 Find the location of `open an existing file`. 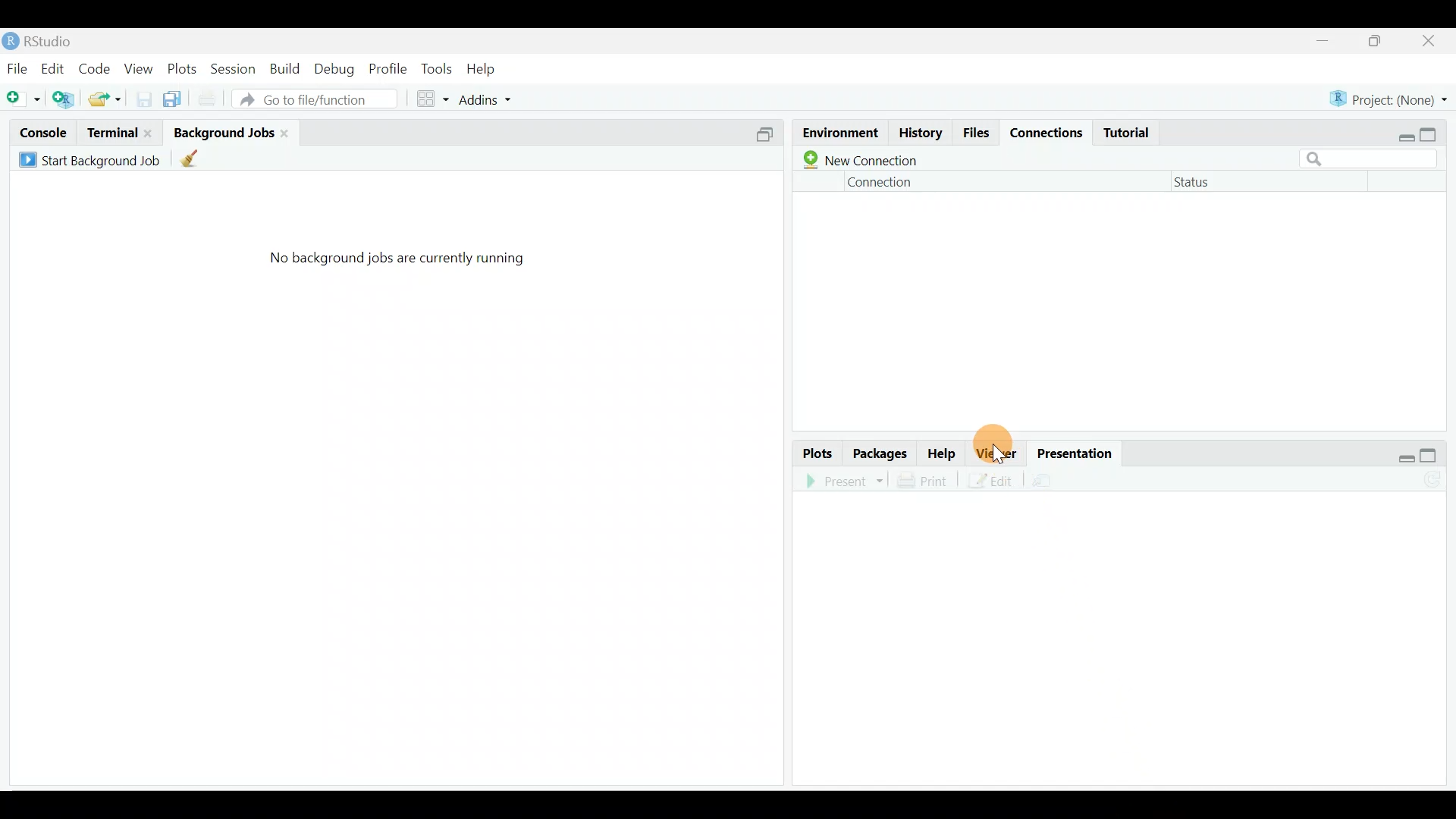

open an existing file is located at coordinates (106, 96).